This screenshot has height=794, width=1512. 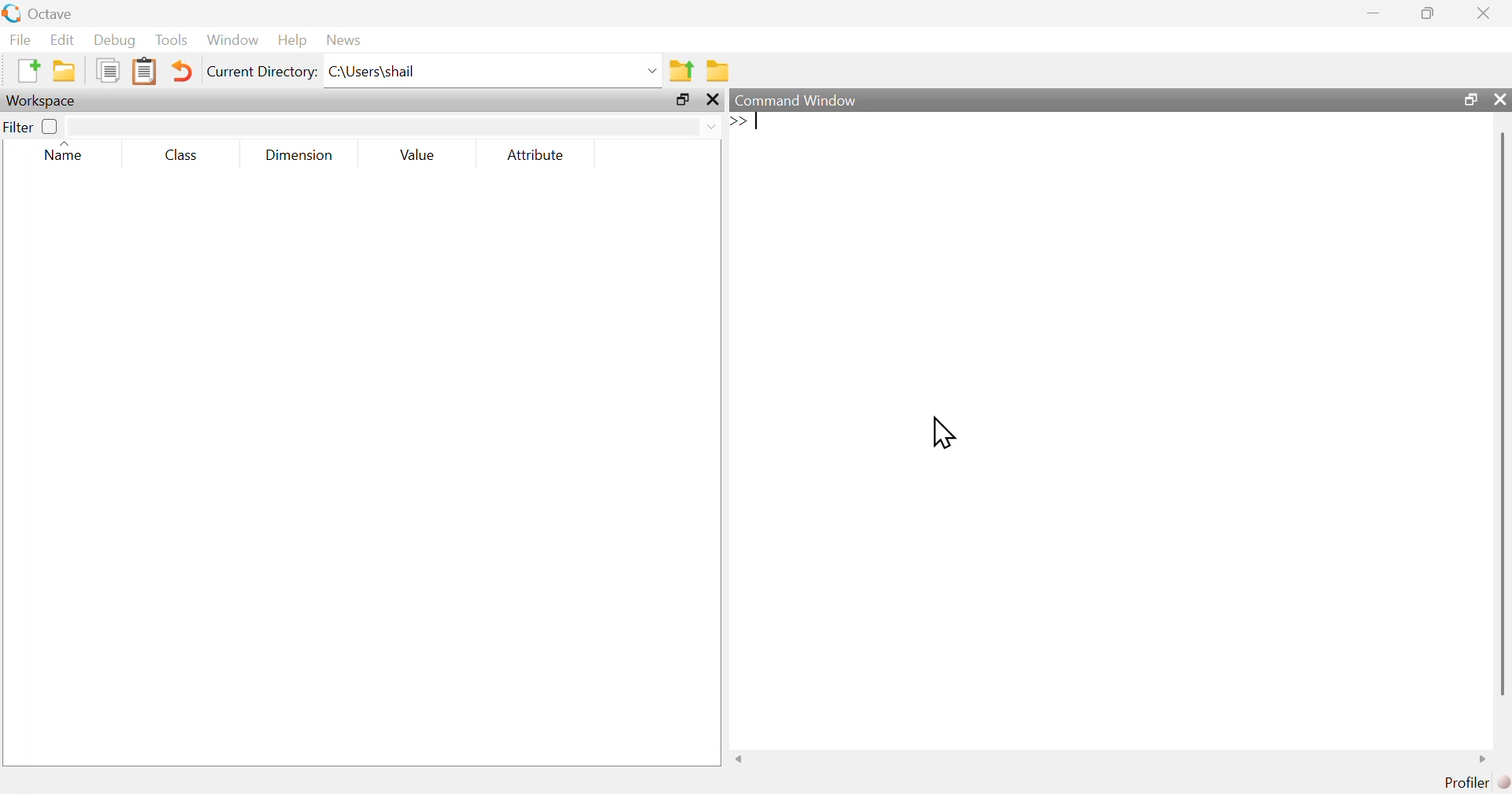 What do you see at coordinates (1374, 13) in the screenshot?
I see `minimize` at bounding box center [1374, 13].